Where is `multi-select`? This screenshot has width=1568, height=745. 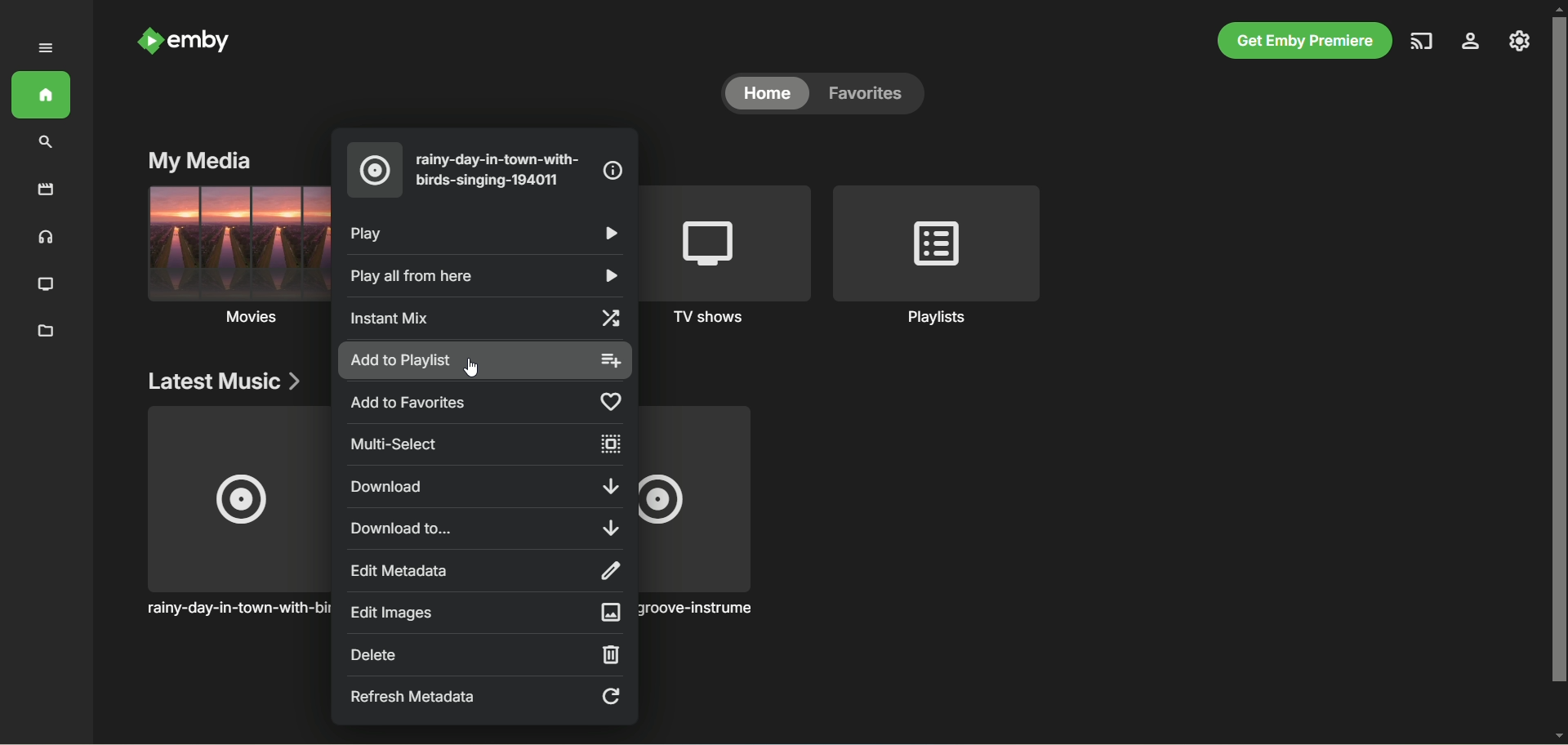 multi-select is located at coordinates (484, 444).